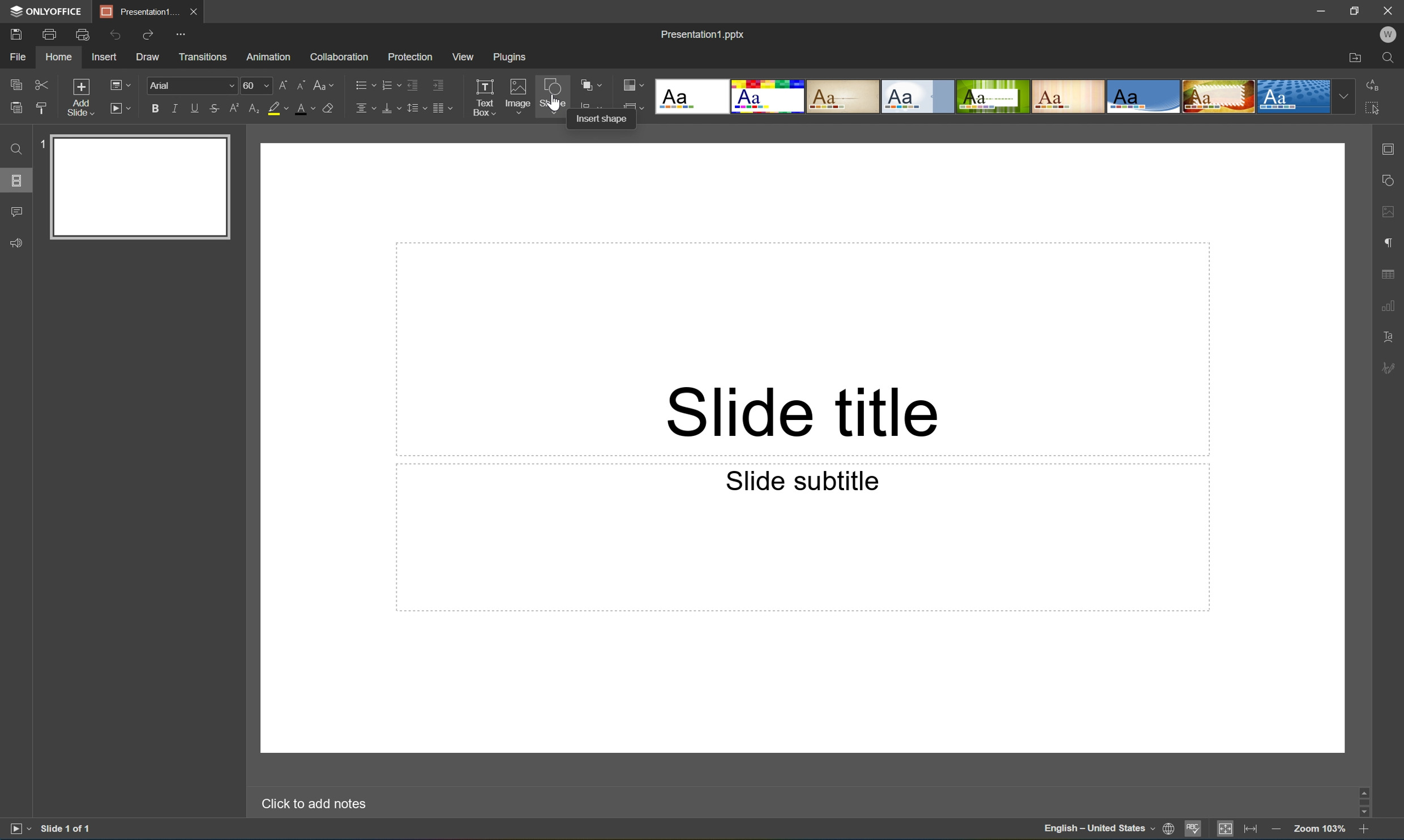  Describe the element at coordinates (415, 109) in the screenshot. I see `Line spacing` at that location.